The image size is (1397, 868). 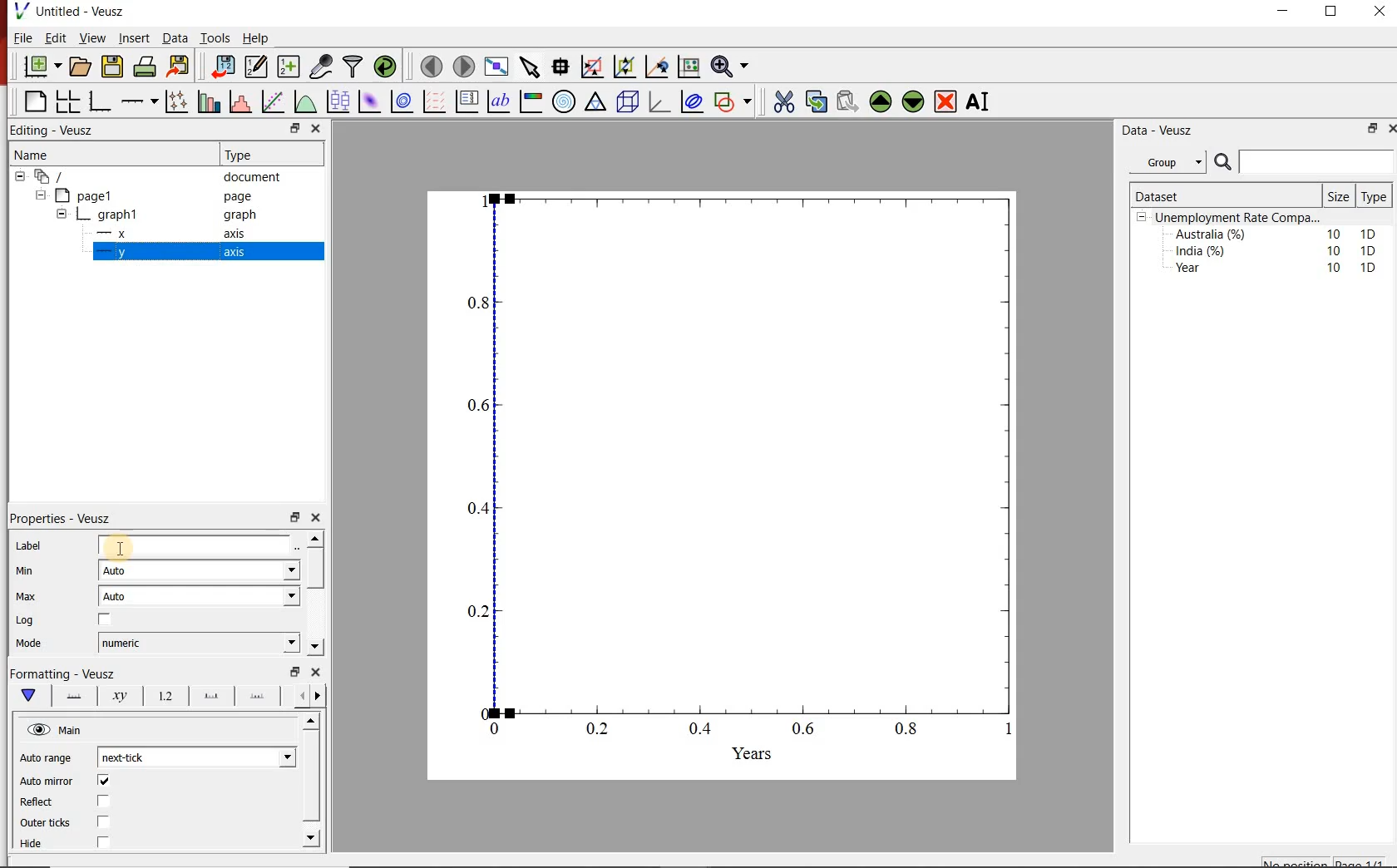 I want to click on hide/unhide, so click(x=38, y=729).